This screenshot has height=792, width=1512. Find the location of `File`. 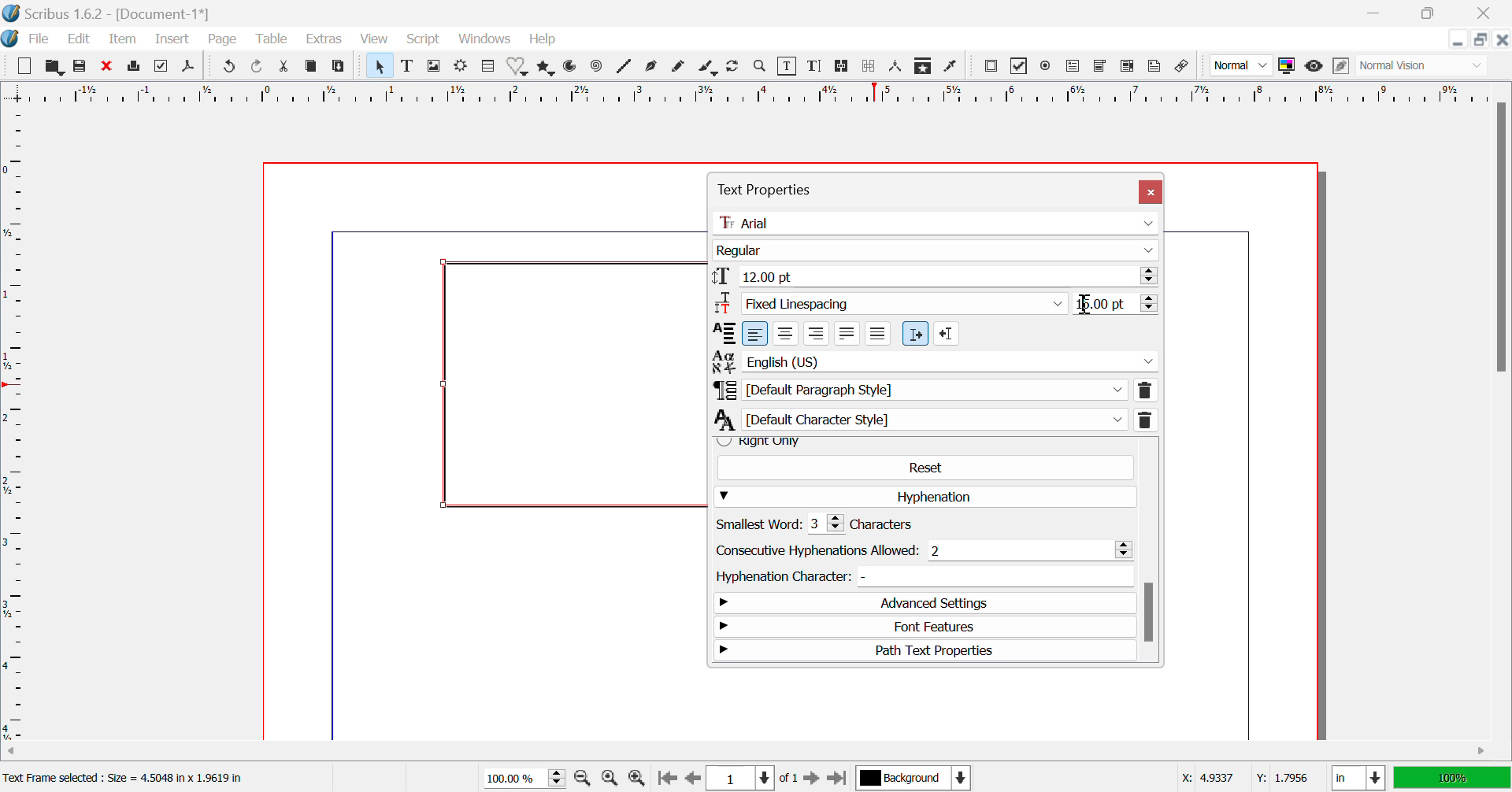

File is located at coordinates (39, 39).